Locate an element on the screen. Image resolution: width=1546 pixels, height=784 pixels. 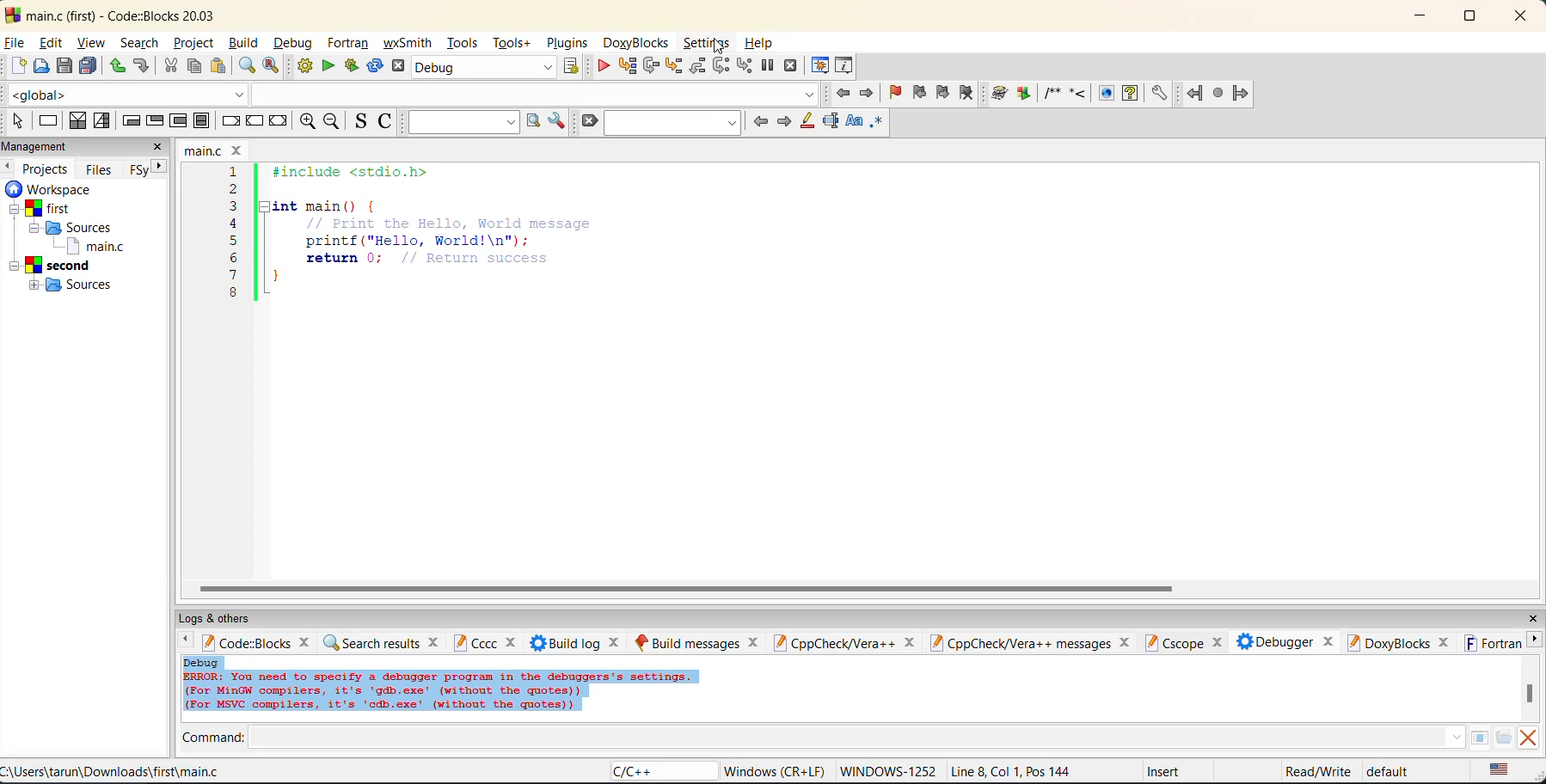
exit-condition loop is located at coordinates (157, 120).